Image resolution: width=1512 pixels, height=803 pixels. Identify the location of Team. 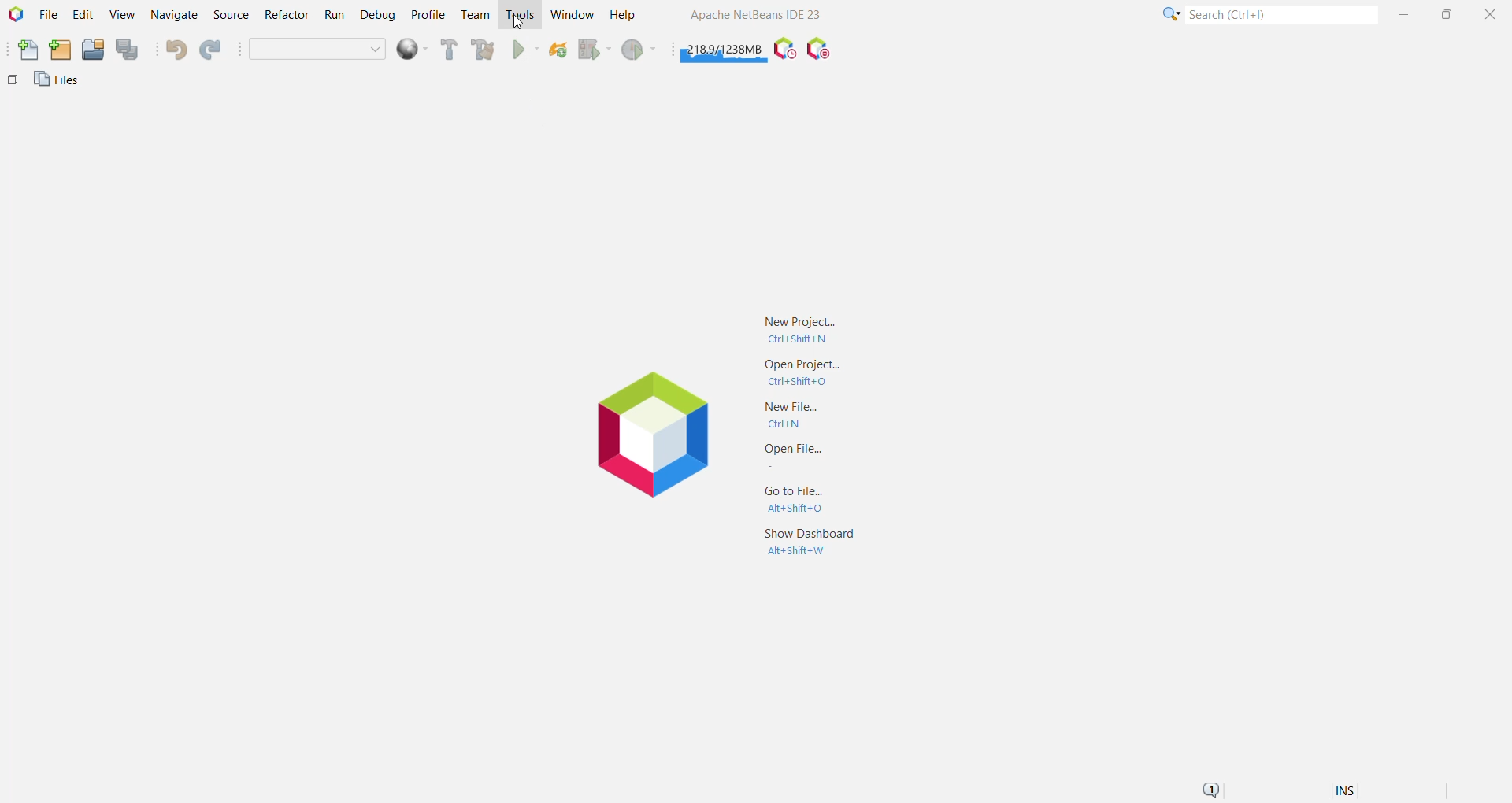
(474, 15).